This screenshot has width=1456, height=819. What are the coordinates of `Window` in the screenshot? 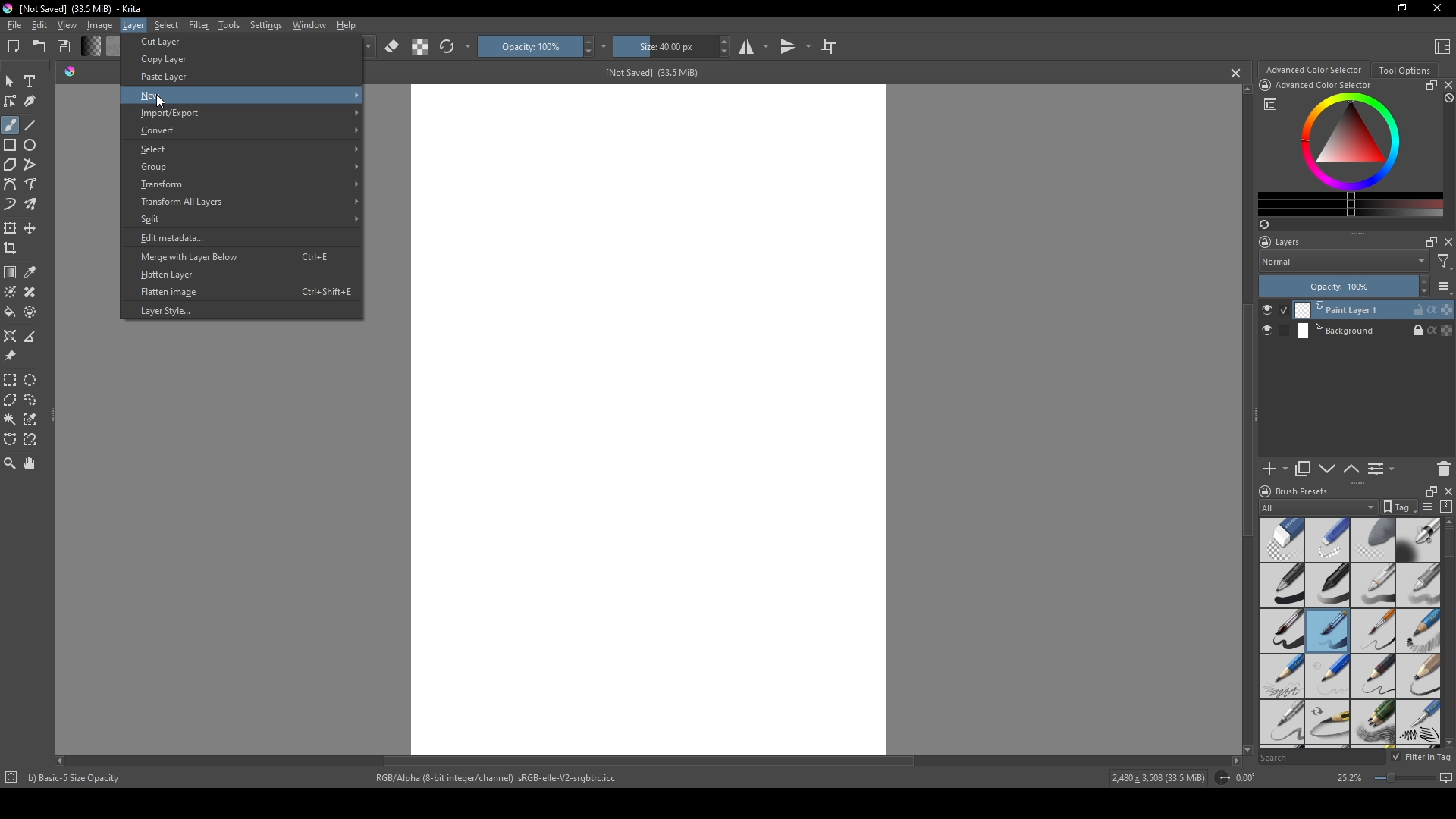 It's located at (307, 24).